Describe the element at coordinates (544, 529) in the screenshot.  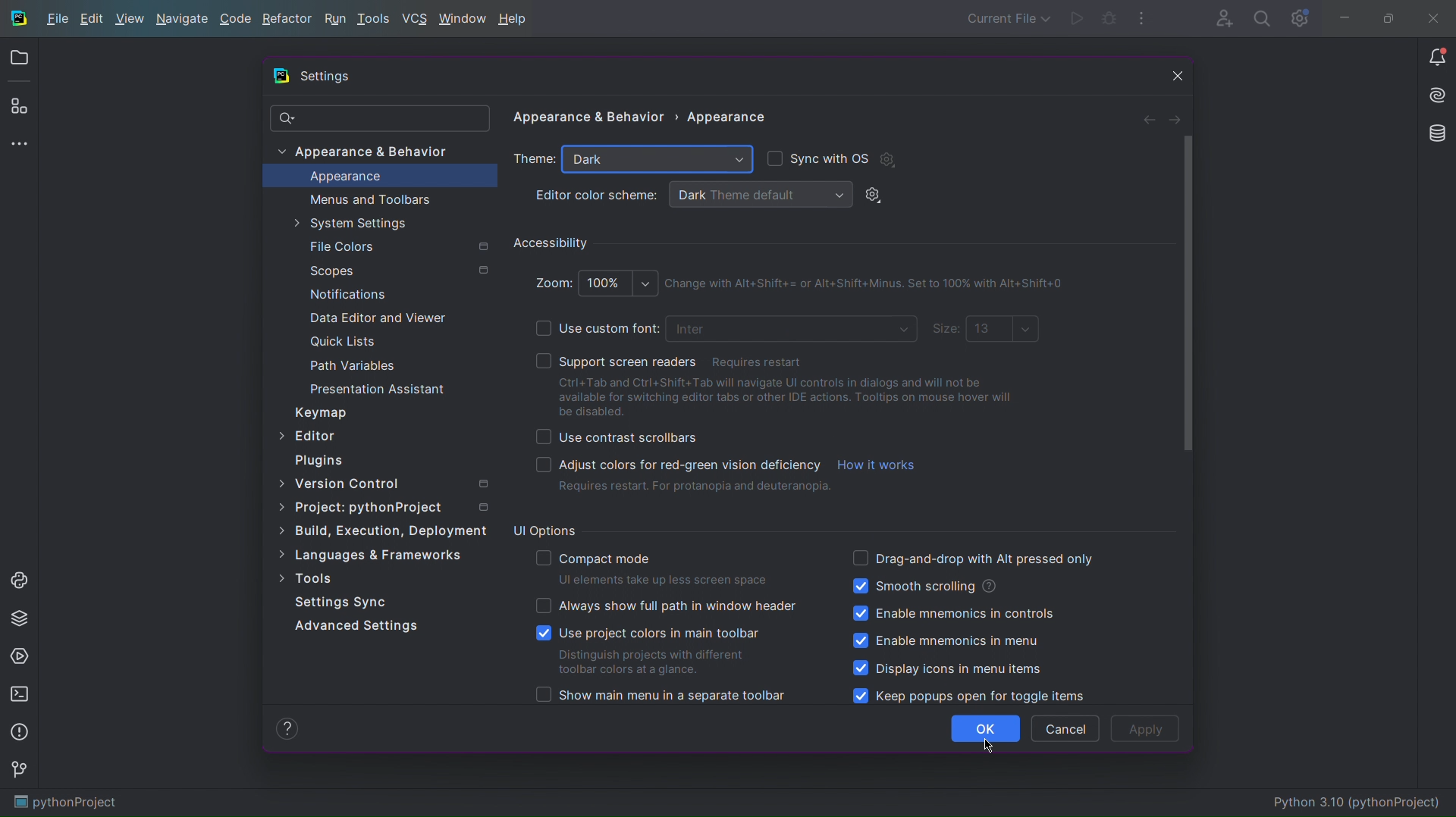
I see `UI Options` at that location.